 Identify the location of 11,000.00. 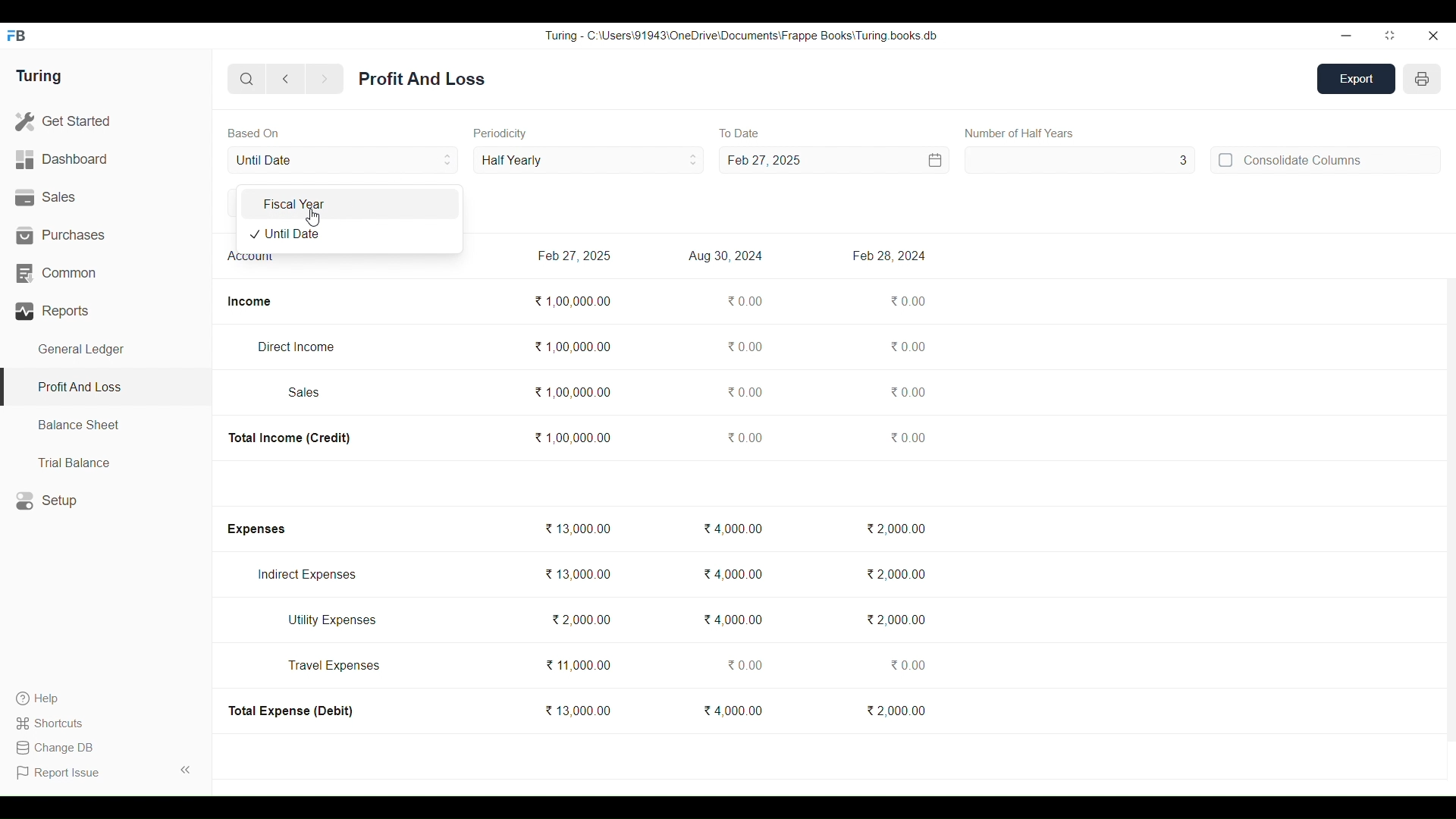
(577, 665).